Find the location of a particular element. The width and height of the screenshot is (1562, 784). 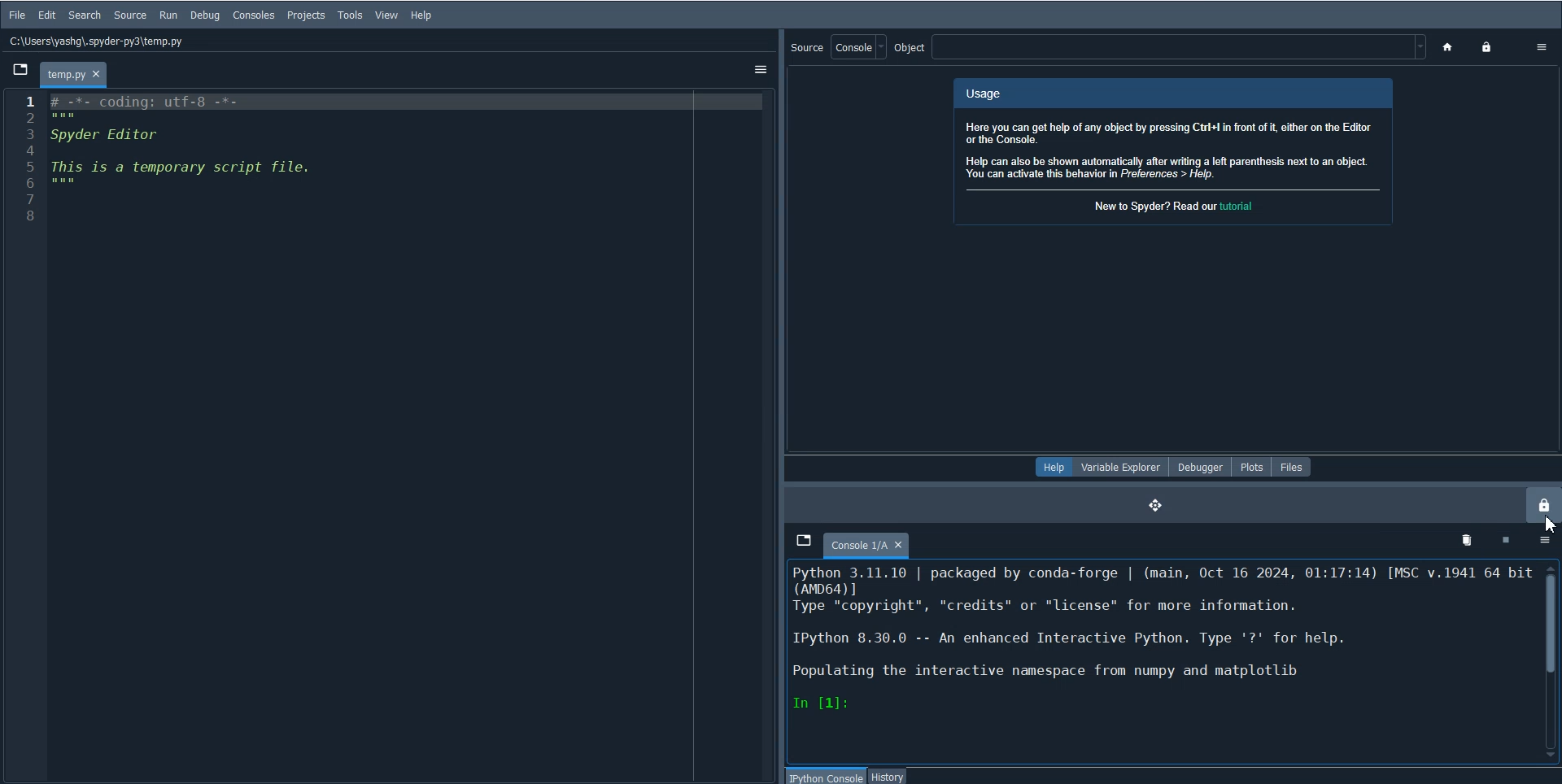

Variable Explorer is located at coordinates (1120, 467).